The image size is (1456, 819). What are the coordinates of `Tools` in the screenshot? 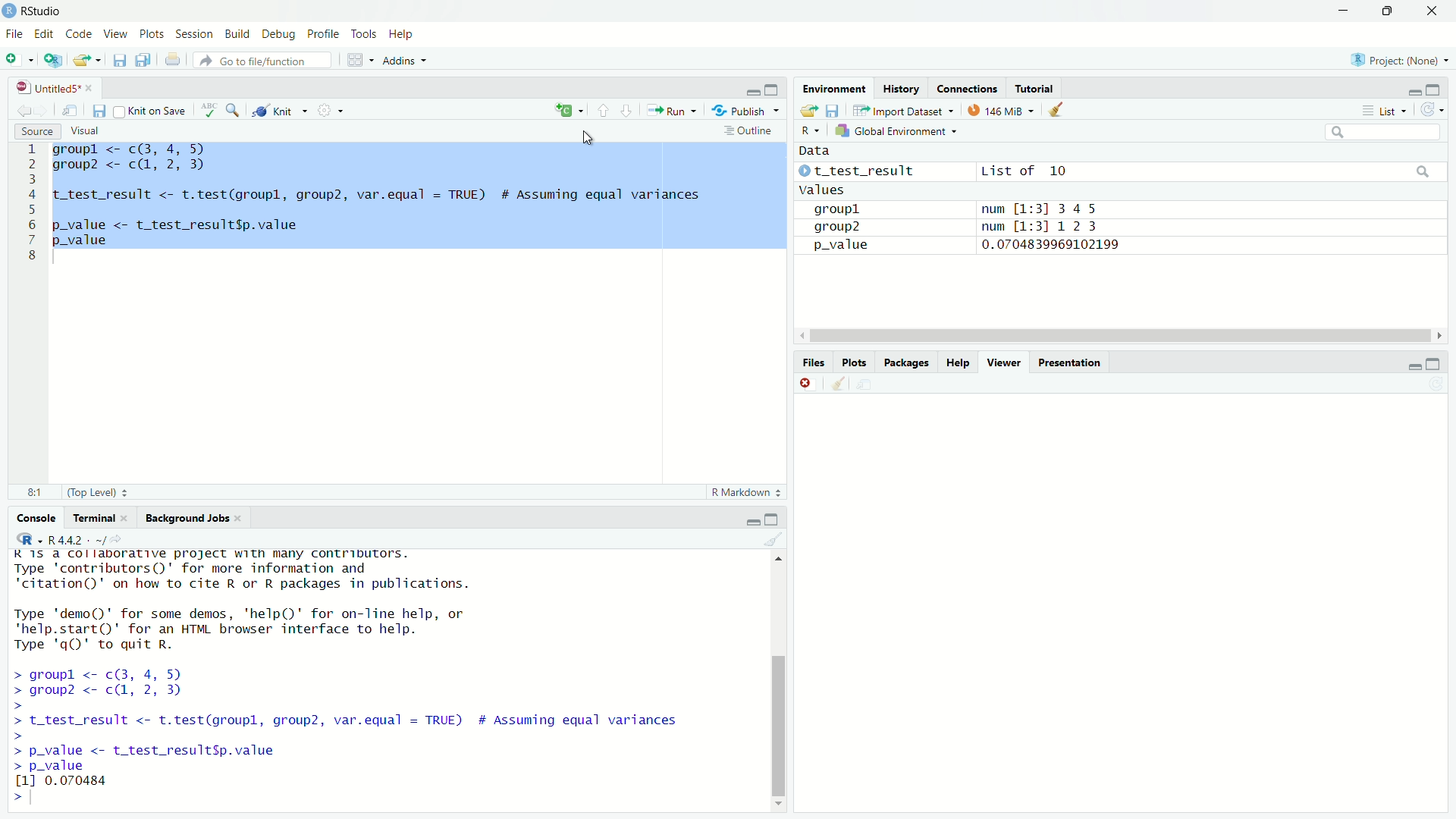 It's located at (366, 33).